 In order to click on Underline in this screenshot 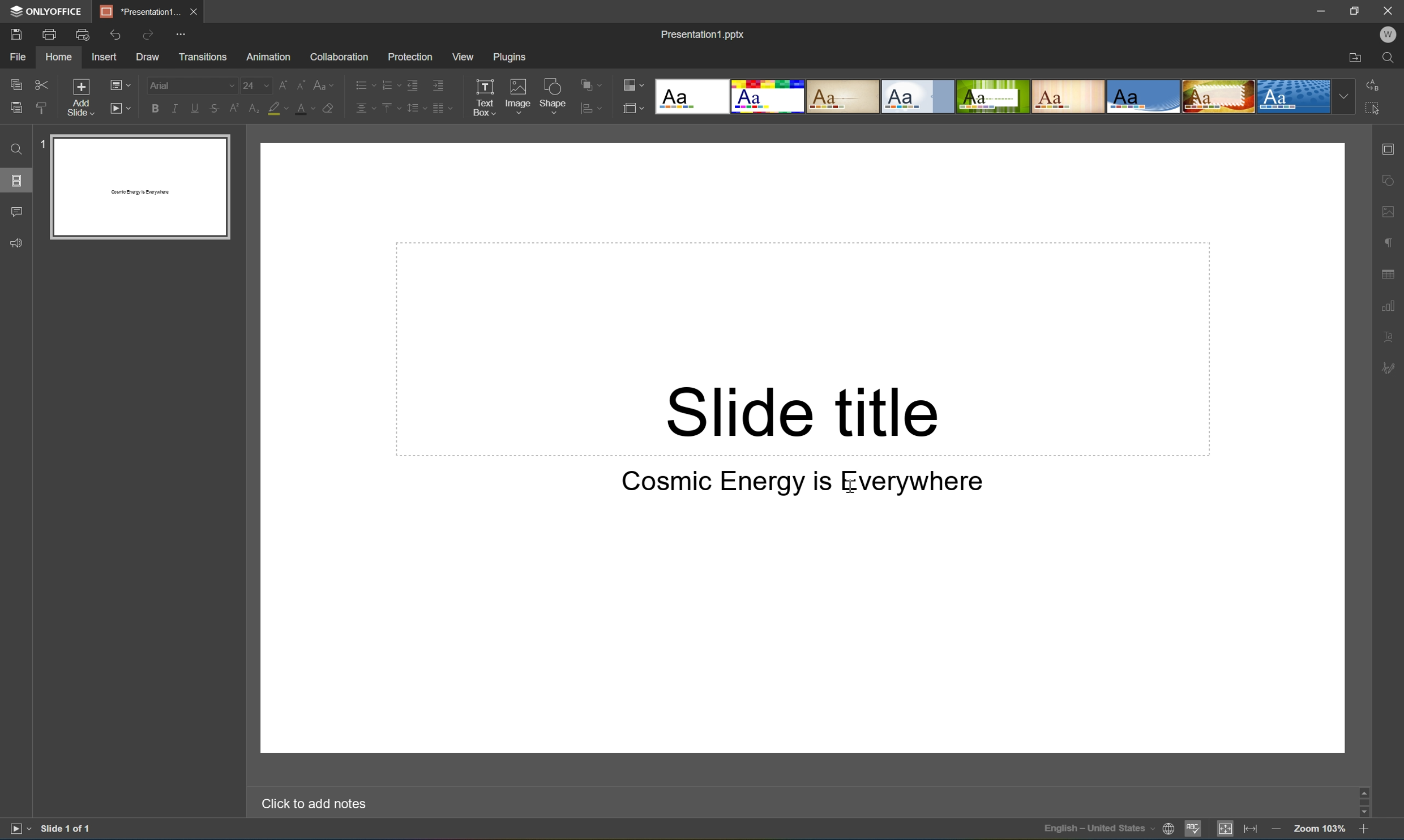, I will do `click(195, 106)`.